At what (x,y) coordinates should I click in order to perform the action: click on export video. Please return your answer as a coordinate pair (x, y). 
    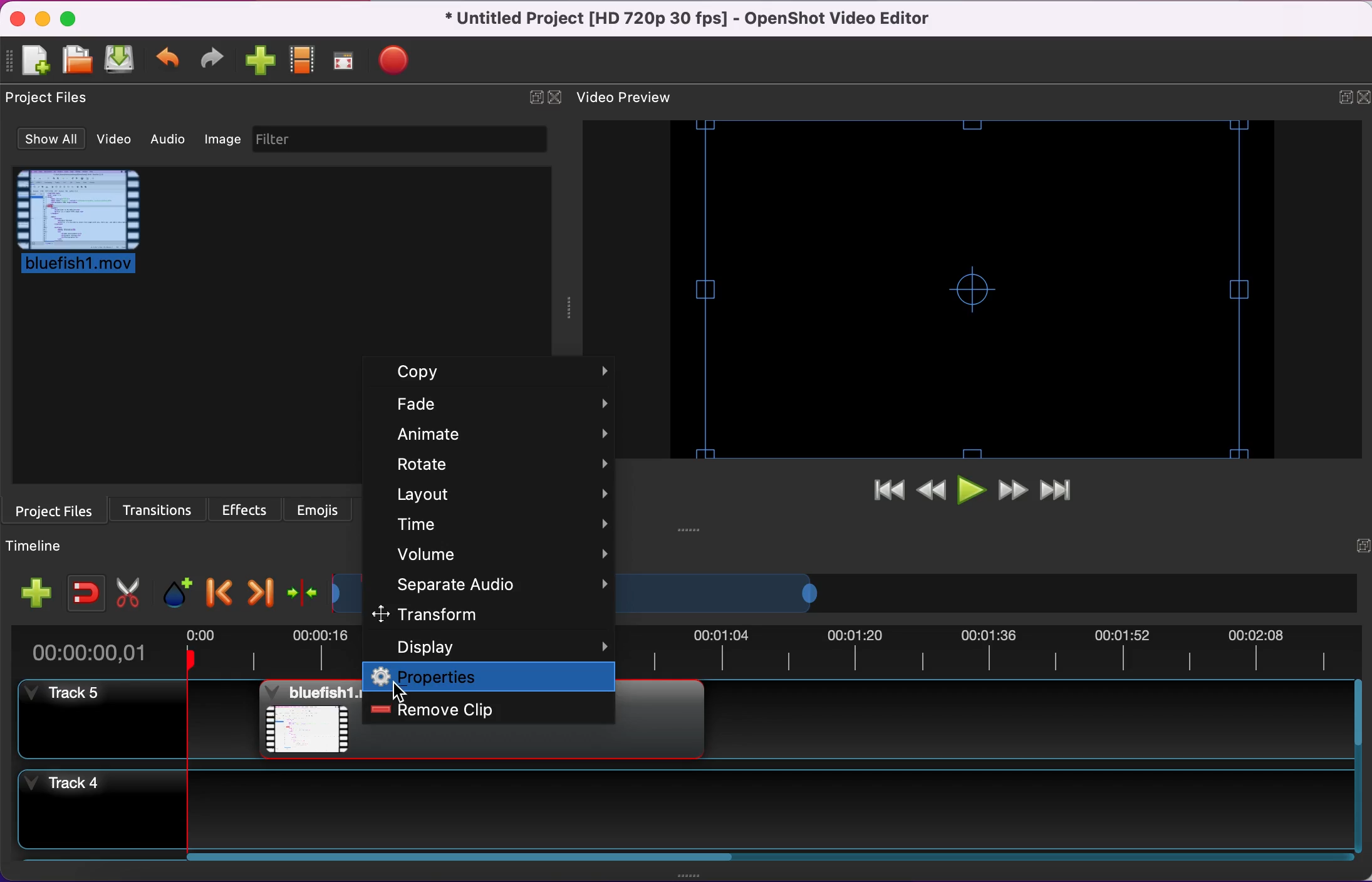
    Looking at the image, I should click on (400, 64).